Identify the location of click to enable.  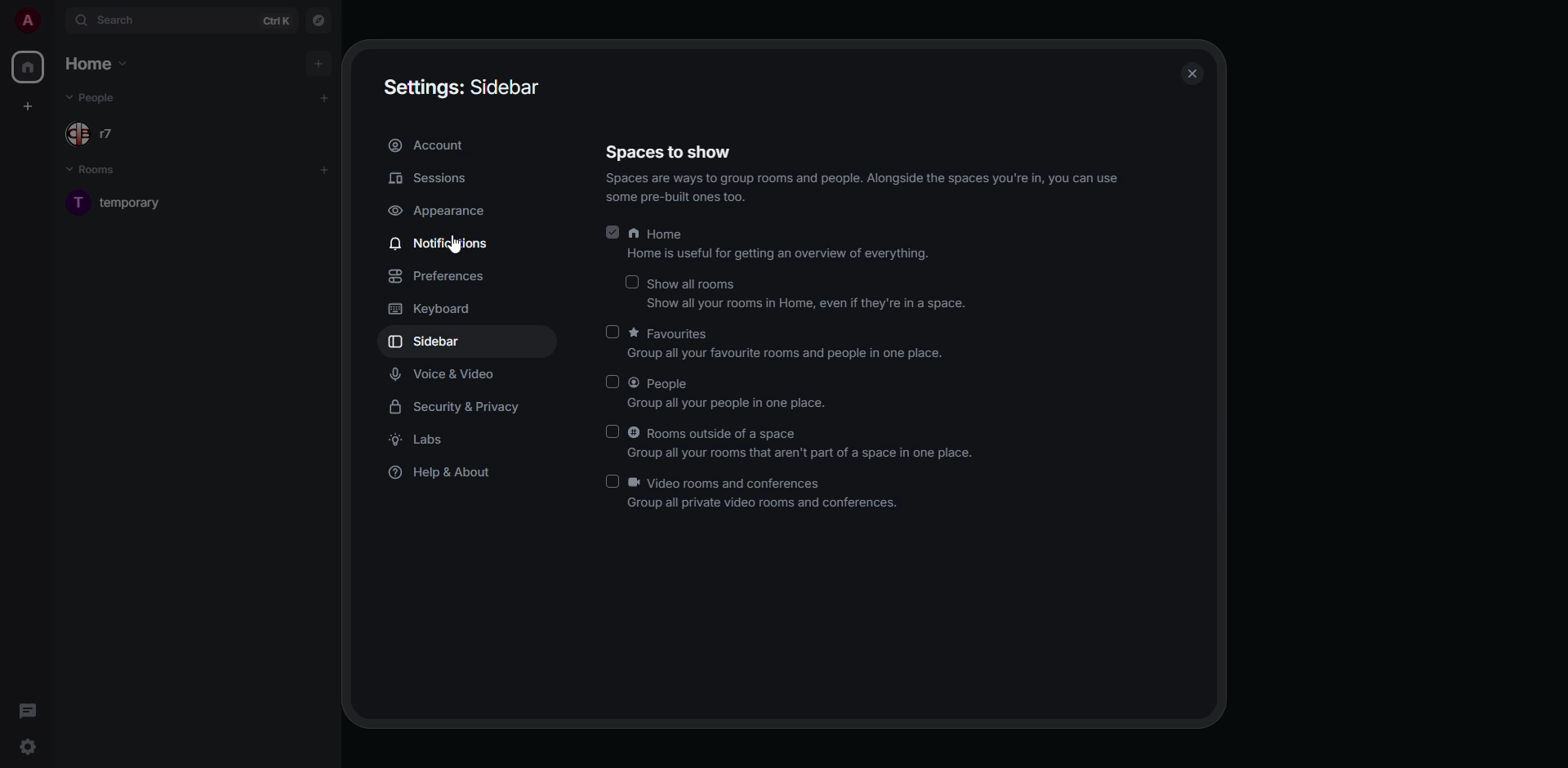
(612, 431).